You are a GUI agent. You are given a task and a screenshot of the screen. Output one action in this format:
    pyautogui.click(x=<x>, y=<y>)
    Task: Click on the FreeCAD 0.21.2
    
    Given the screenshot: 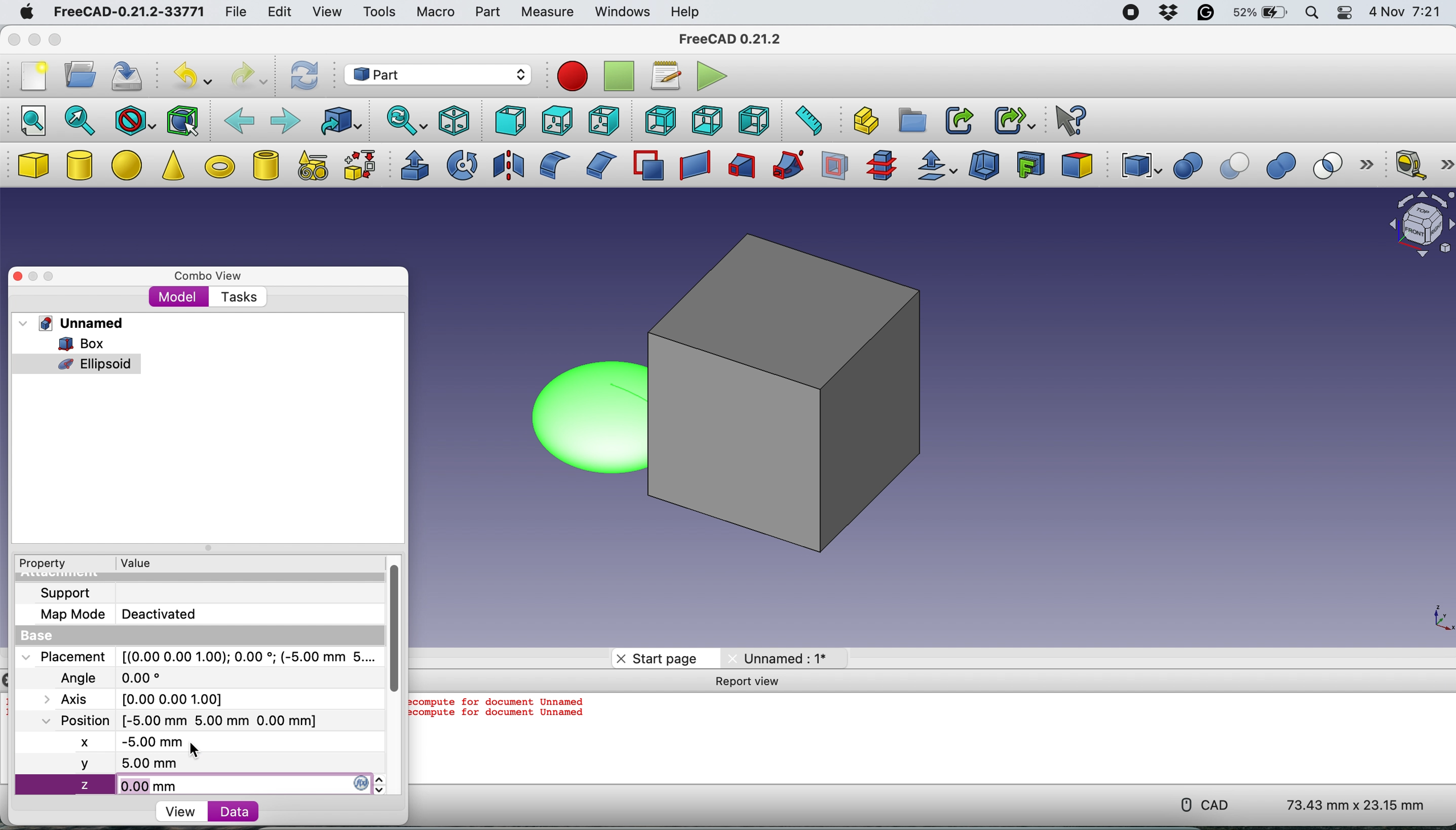 What is the action you would take?
    pyautogui.click(x=731, y=39)
    